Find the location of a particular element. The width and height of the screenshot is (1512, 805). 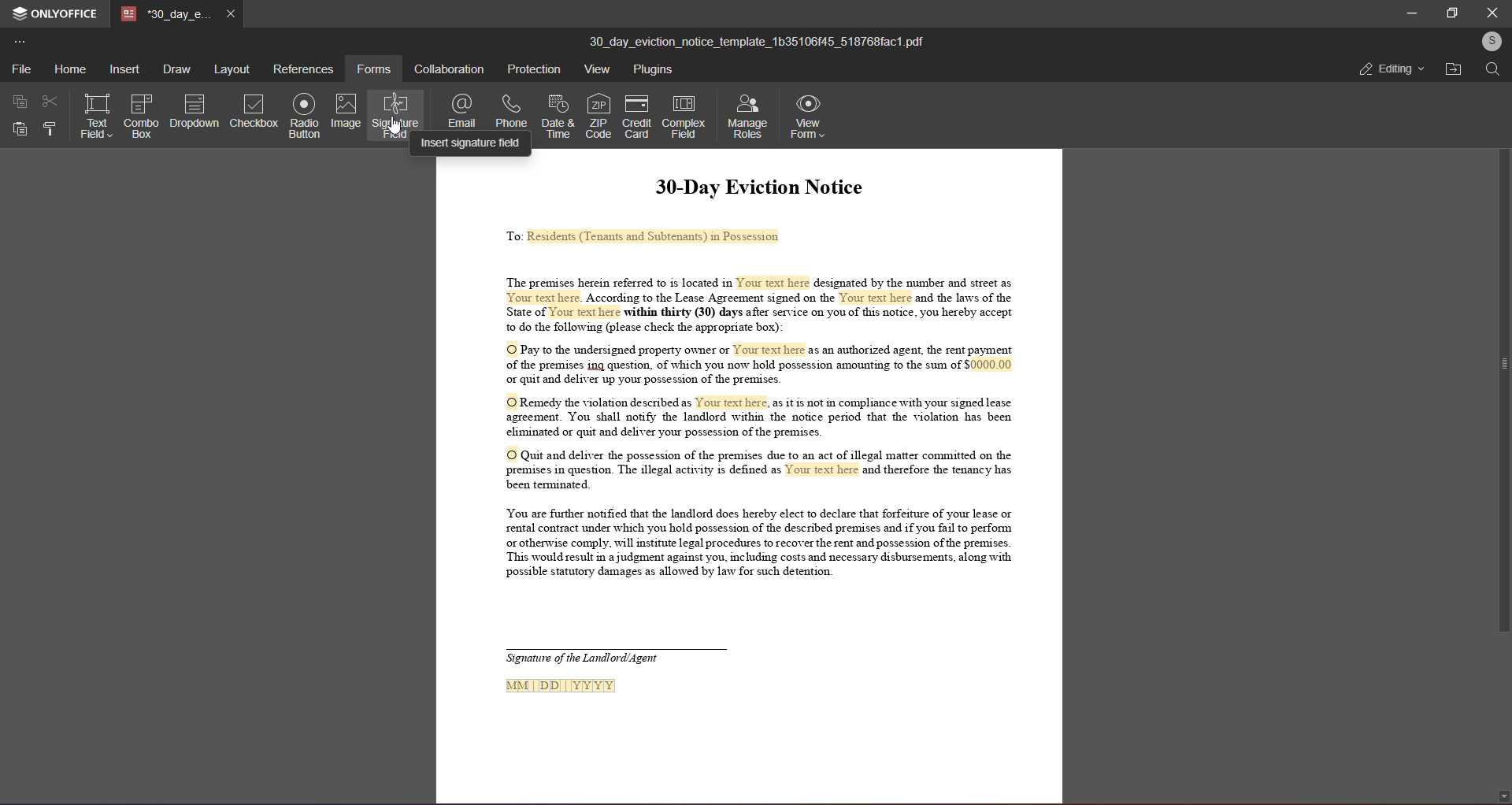

home is located at coordinates (69, 69).